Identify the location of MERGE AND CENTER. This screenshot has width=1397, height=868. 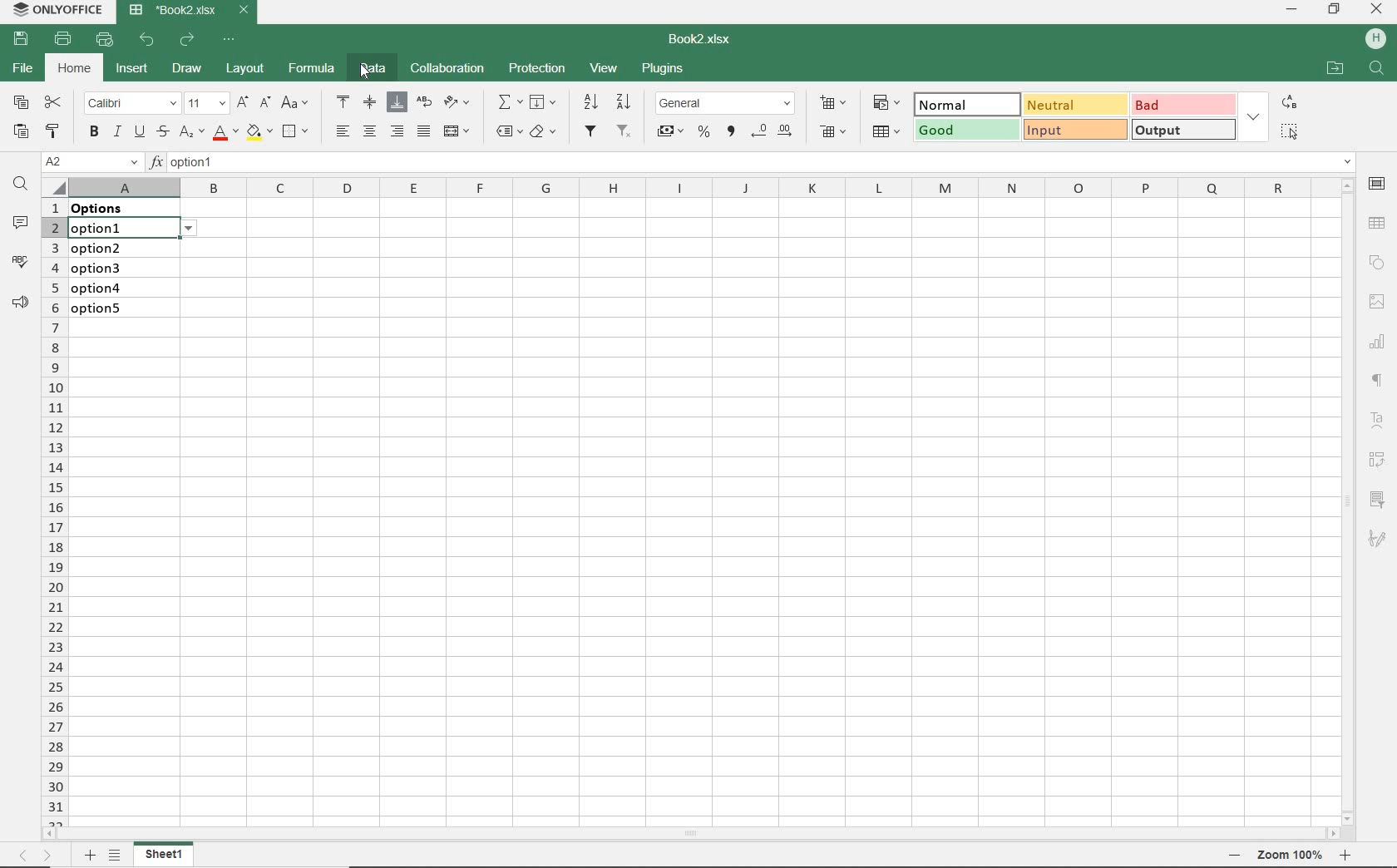
(456, 131).